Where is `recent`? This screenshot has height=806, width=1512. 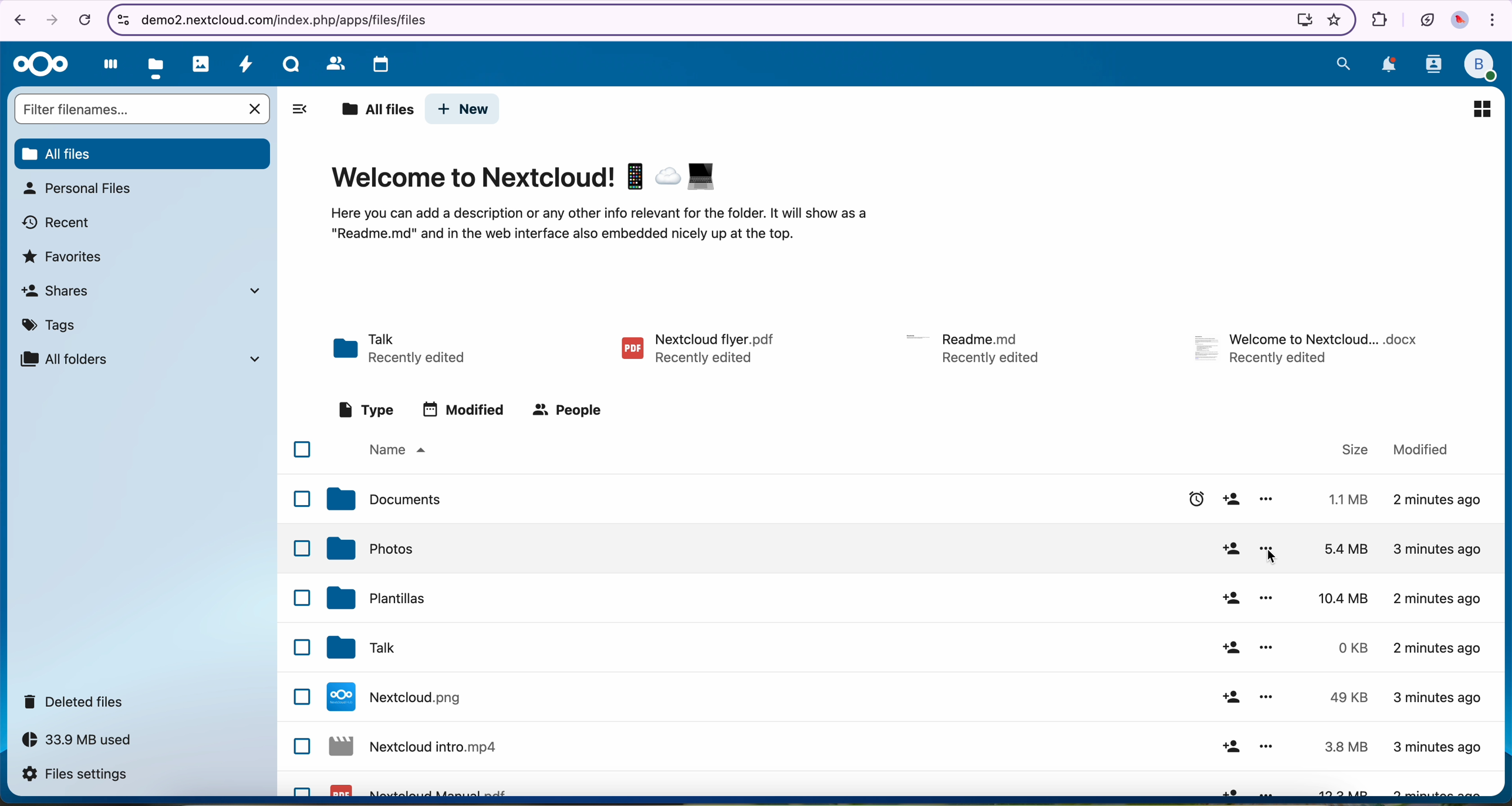 recent is located at coordinates (59, 222).